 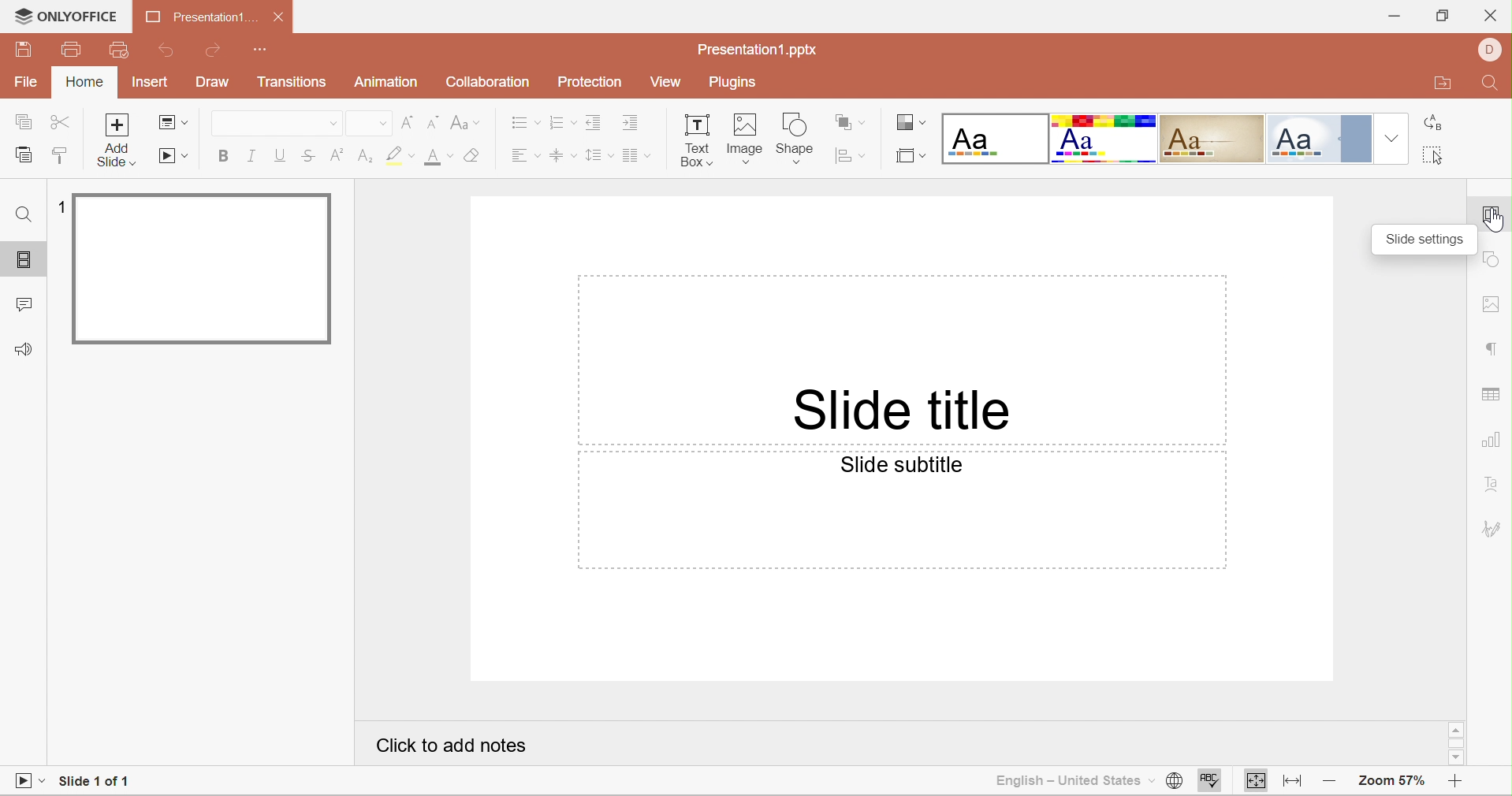 I want to click on Blank, so click(x=995, y=138).